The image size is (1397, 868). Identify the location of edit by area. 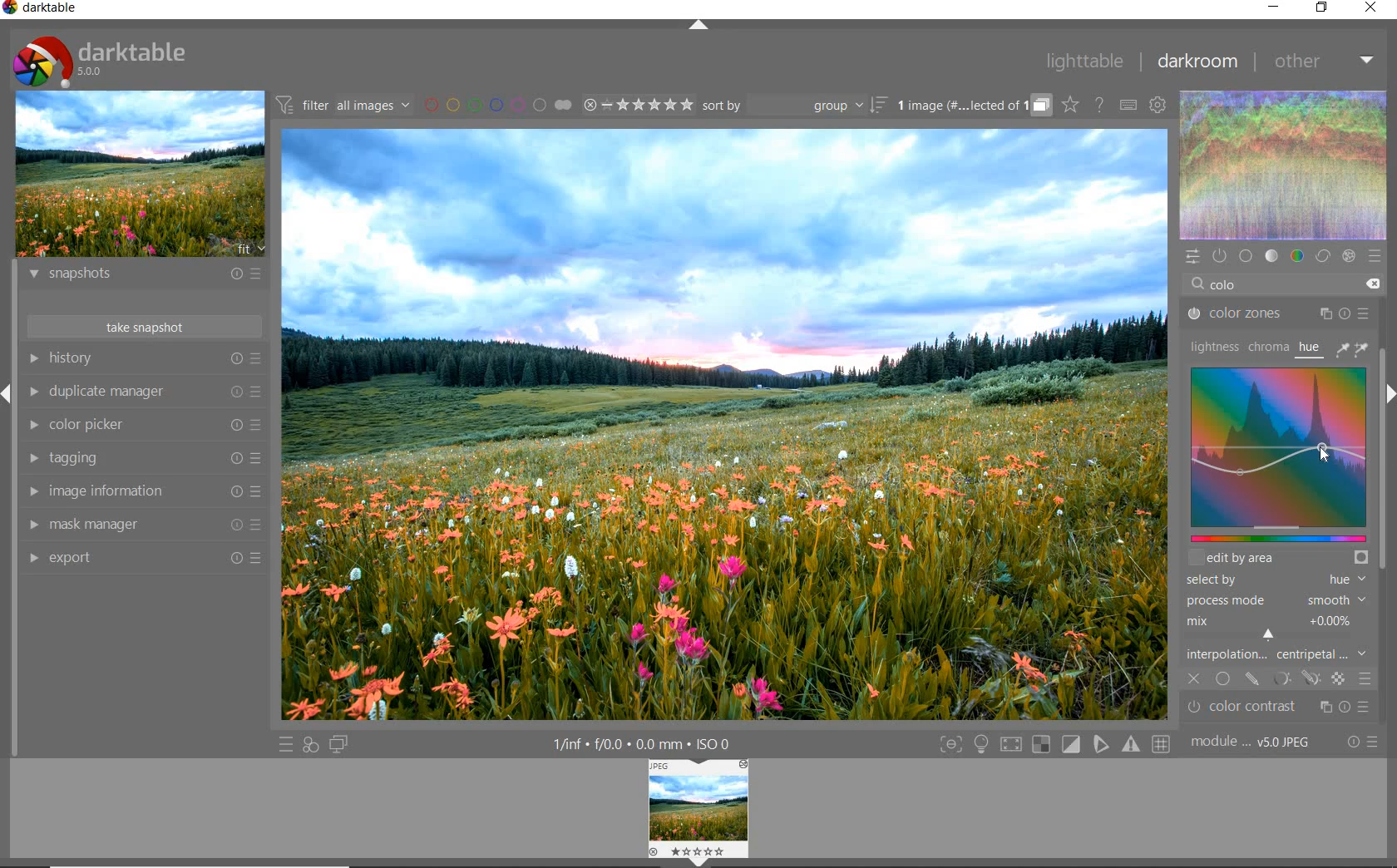
(1278, 557).